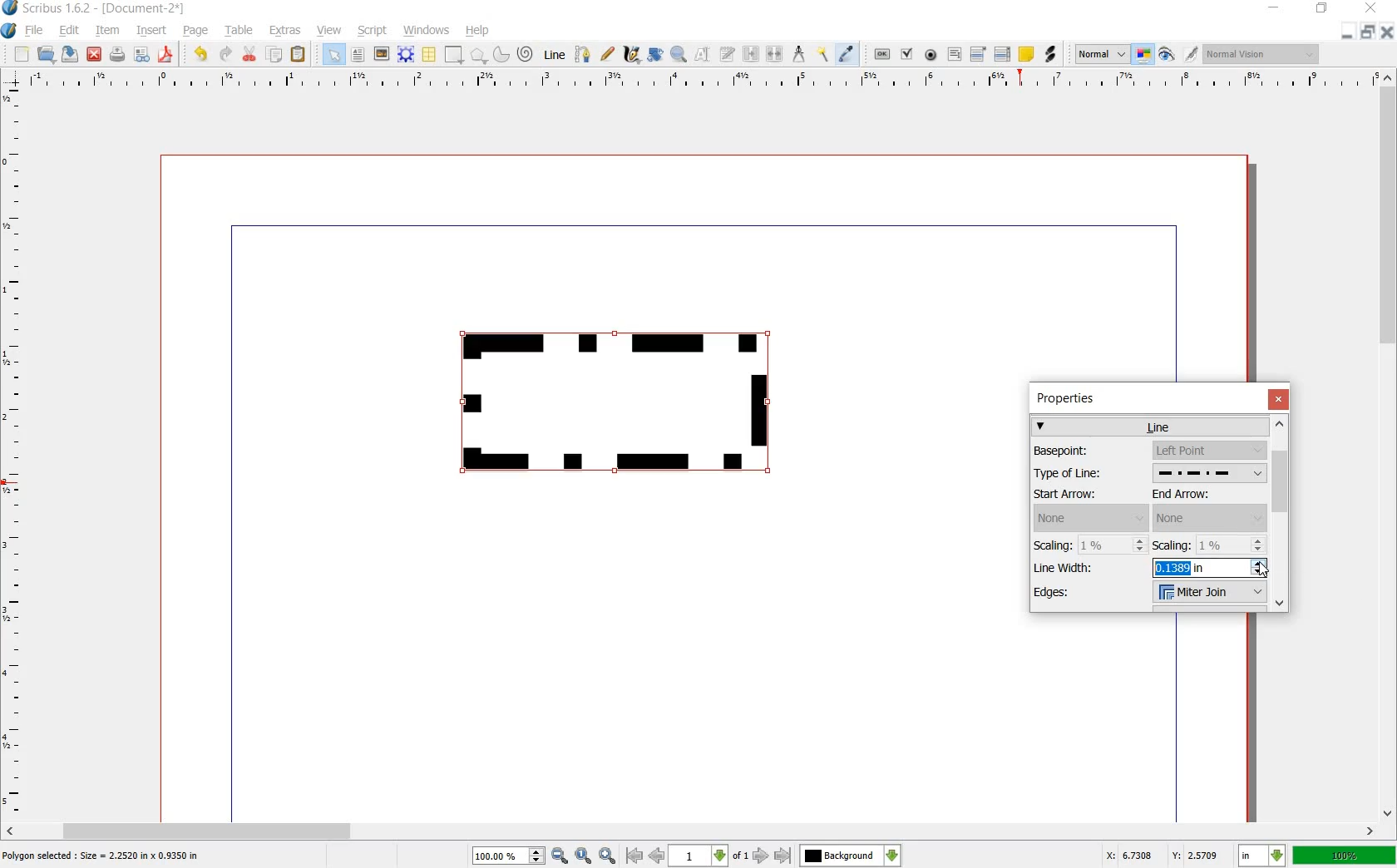  What do you see at coordinates (634, 856) in the screenshot?
I see `go to first page` at bounding box center [634, 856].